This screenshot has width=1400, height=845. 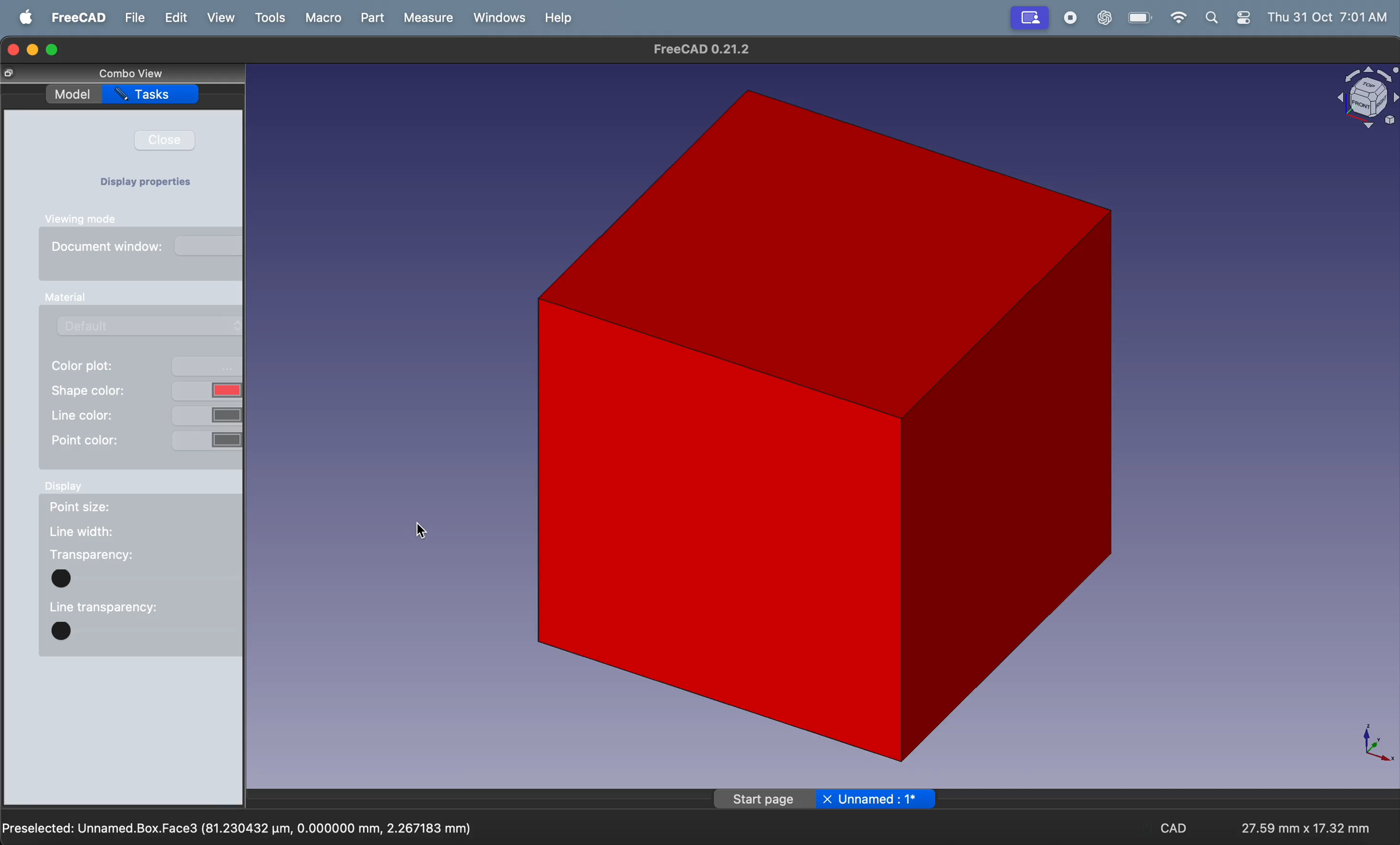 What do you see at coordinates (73, 95) in the screenshot?
I see `model` at bounding box center [73, 95].